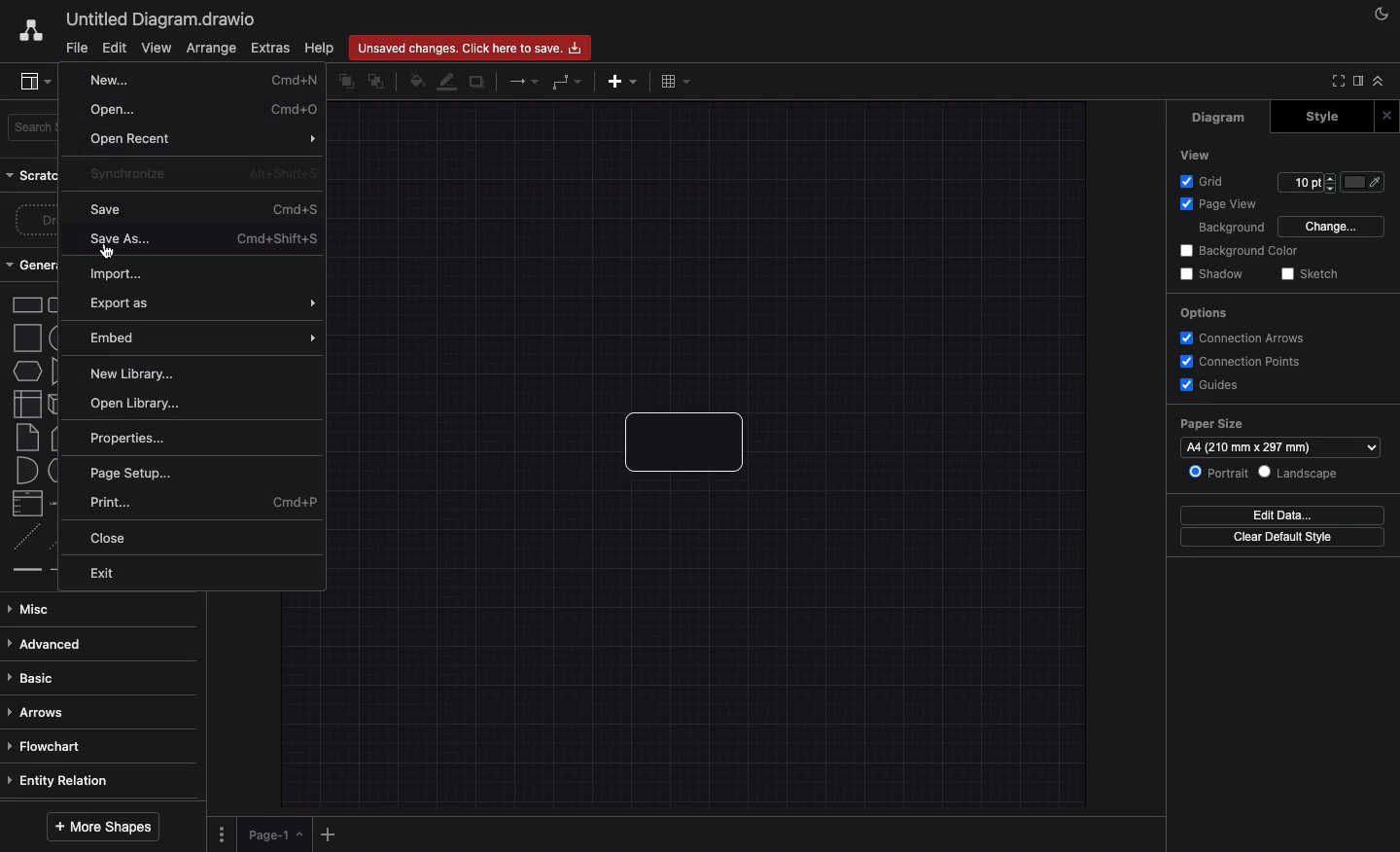 This screenshot has width=1400, height=852. What do you see at coordinates (676, 81) in the screenshot?
I see `Table` at bounding box center [676, 81].